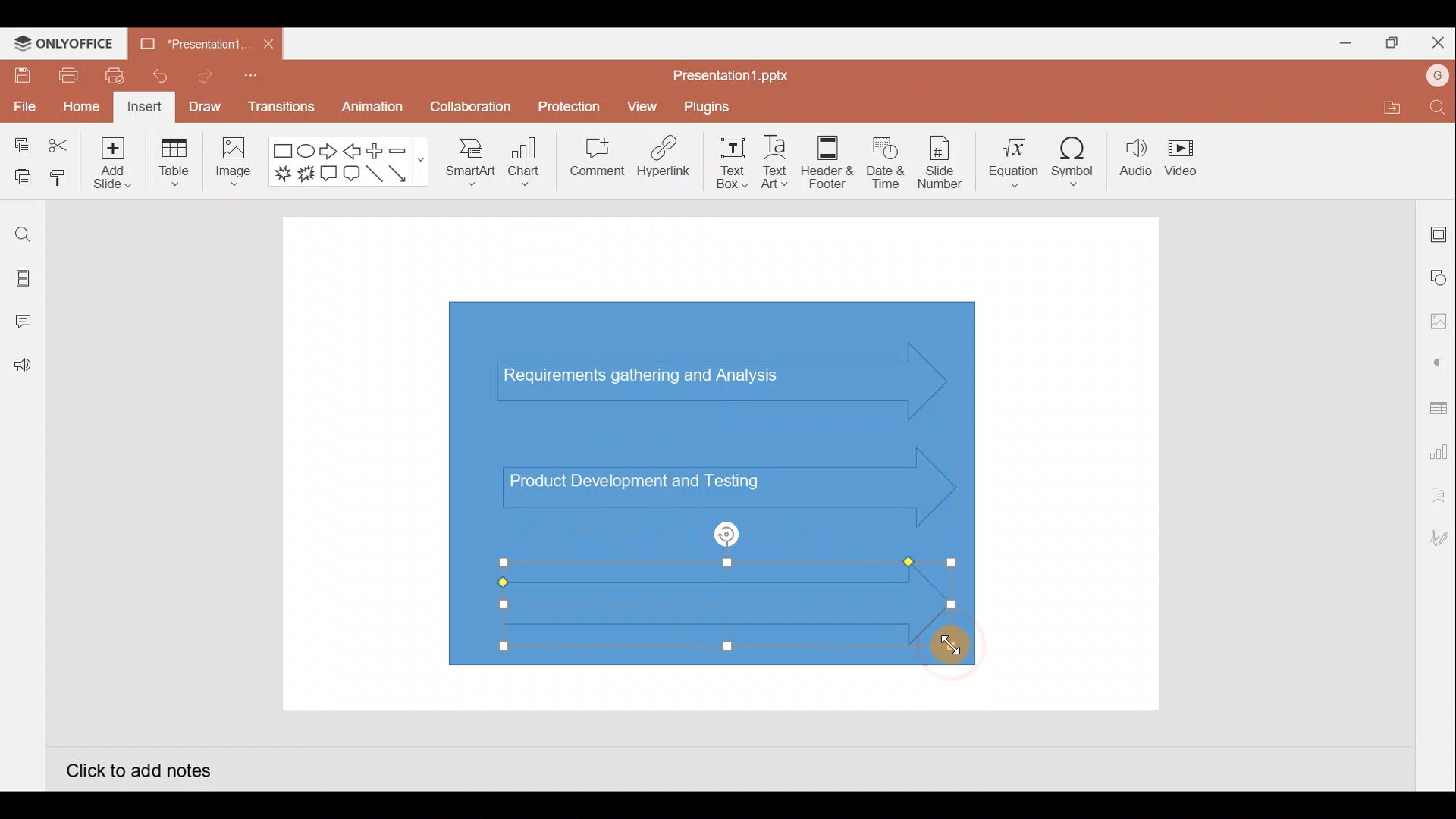  I want to click on Text Art settings, so click(1437, 495).